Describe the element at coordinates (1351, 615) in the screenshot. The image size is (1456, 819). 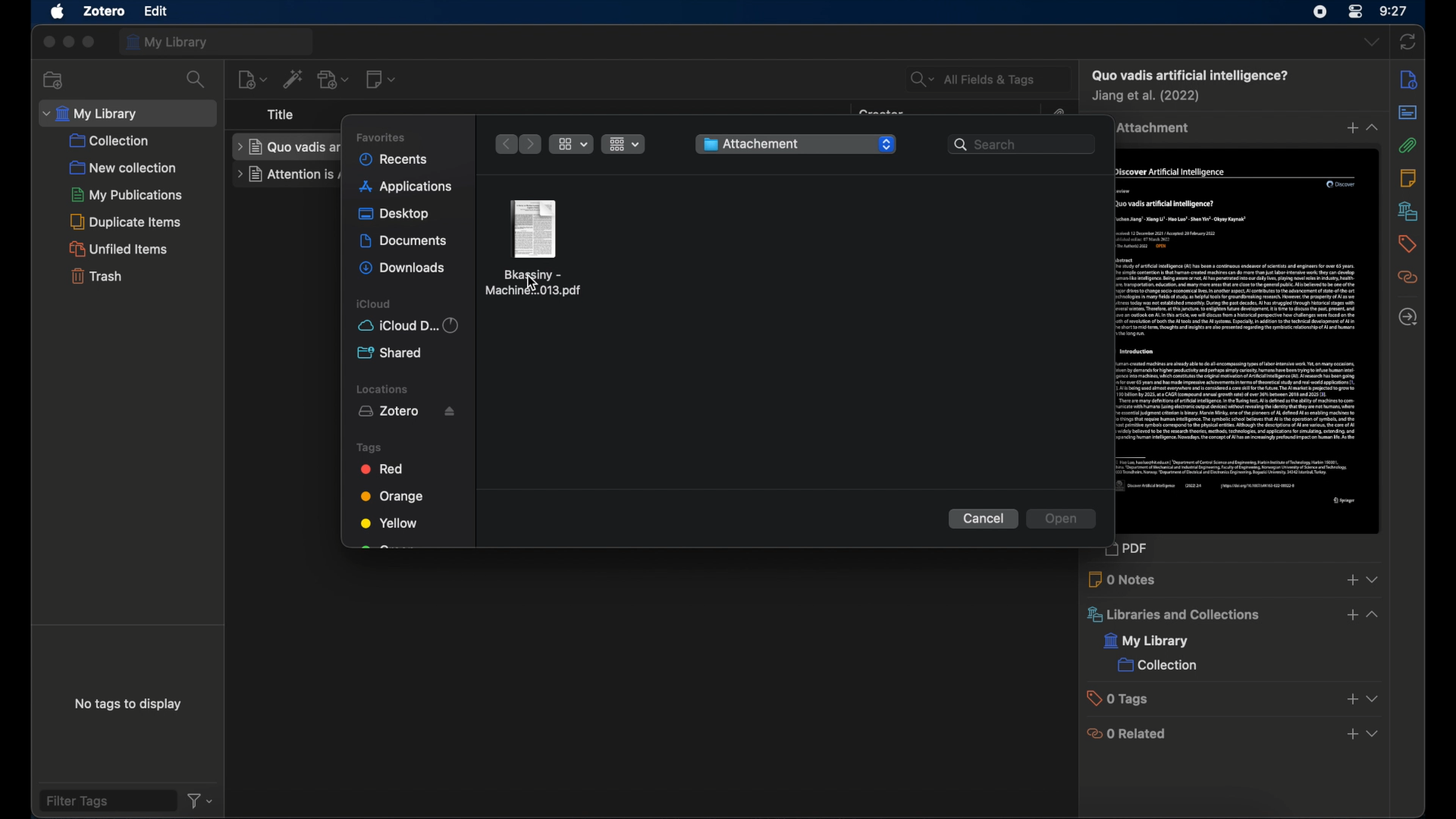
I see `add` at that location.